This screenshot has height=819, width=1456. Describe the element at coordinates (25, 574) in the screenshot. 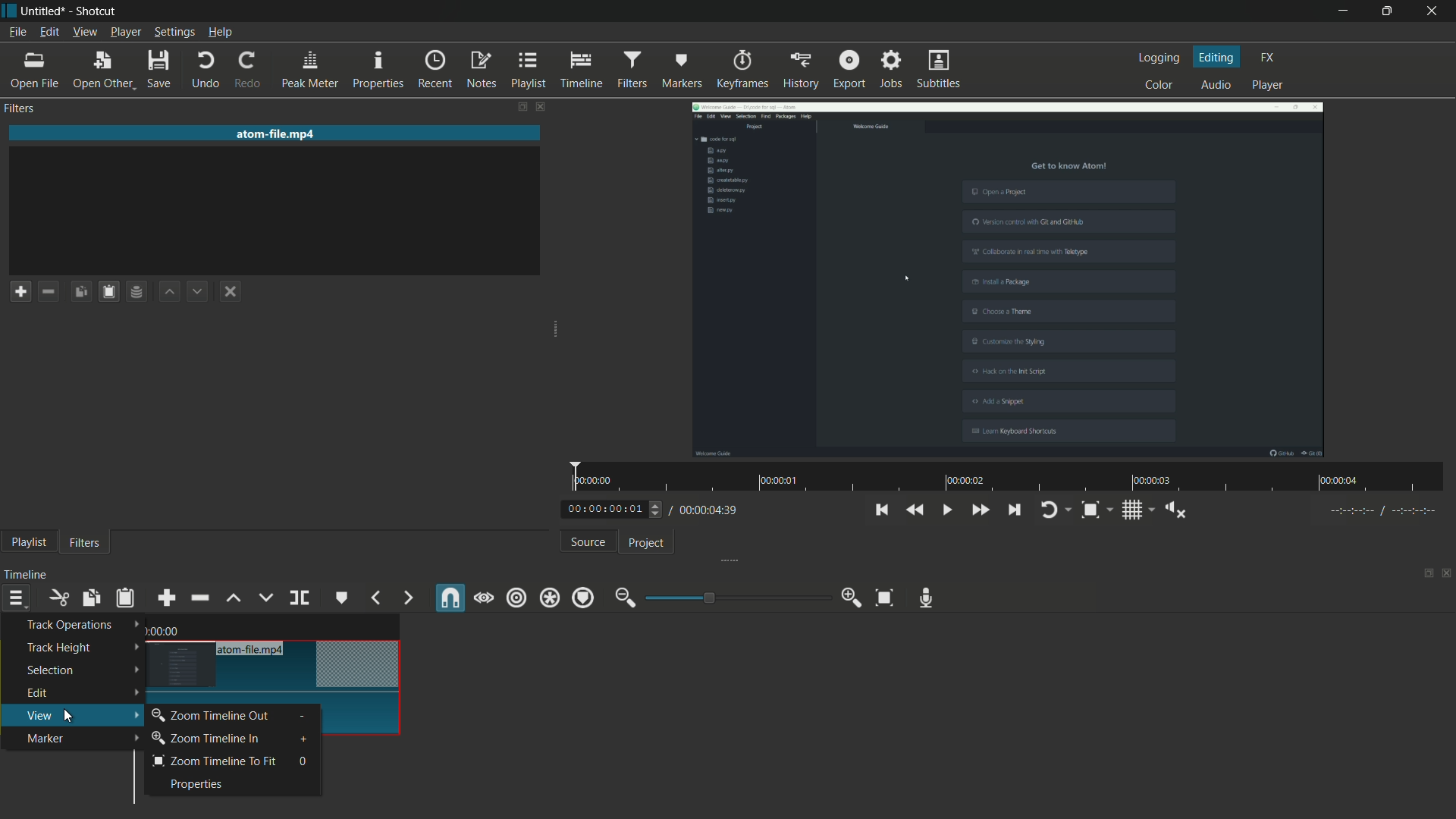

I see `timeline` at that location.